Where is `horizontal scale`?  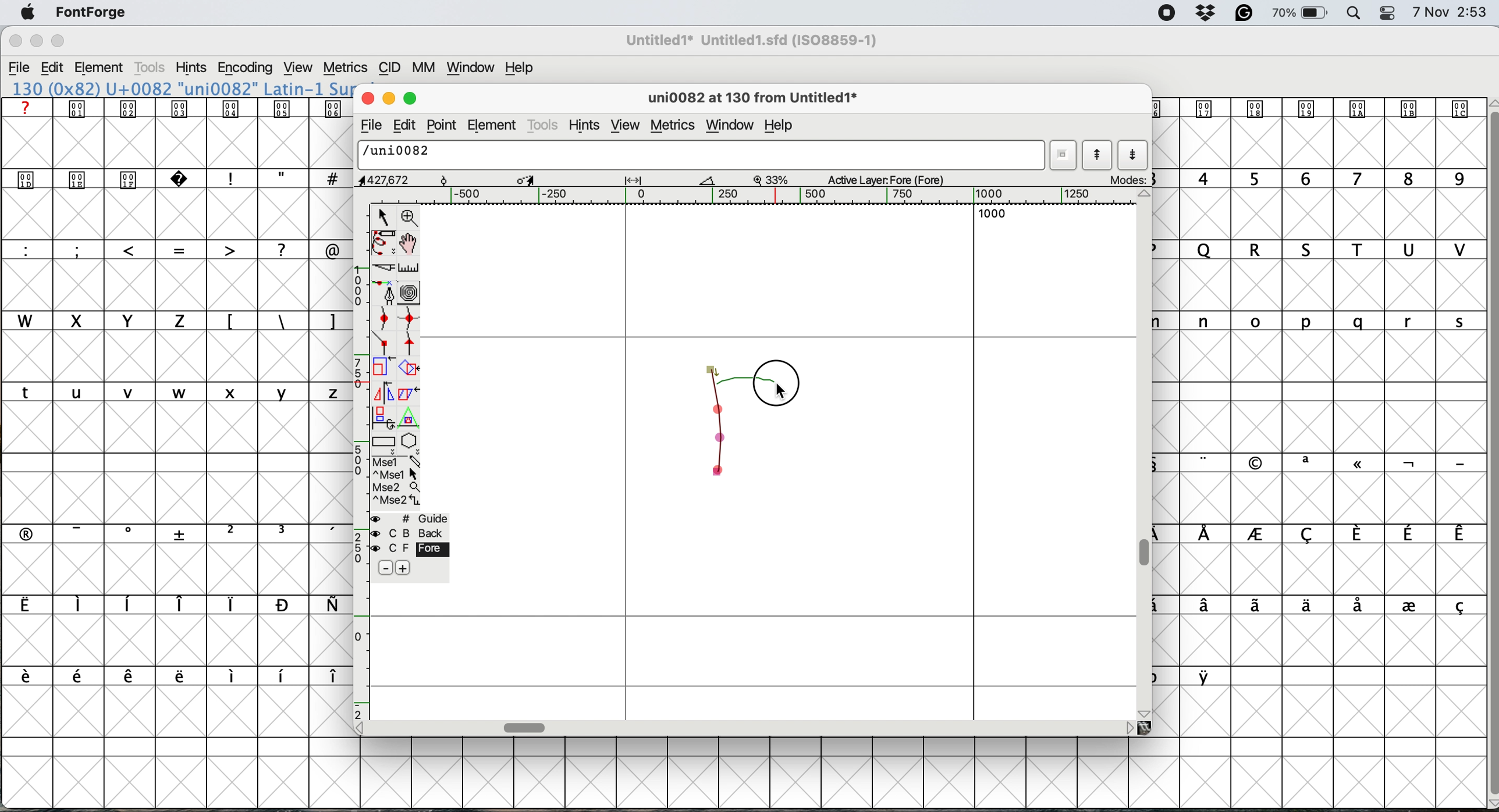
horizontal scale is located at coordinates (777, 196).